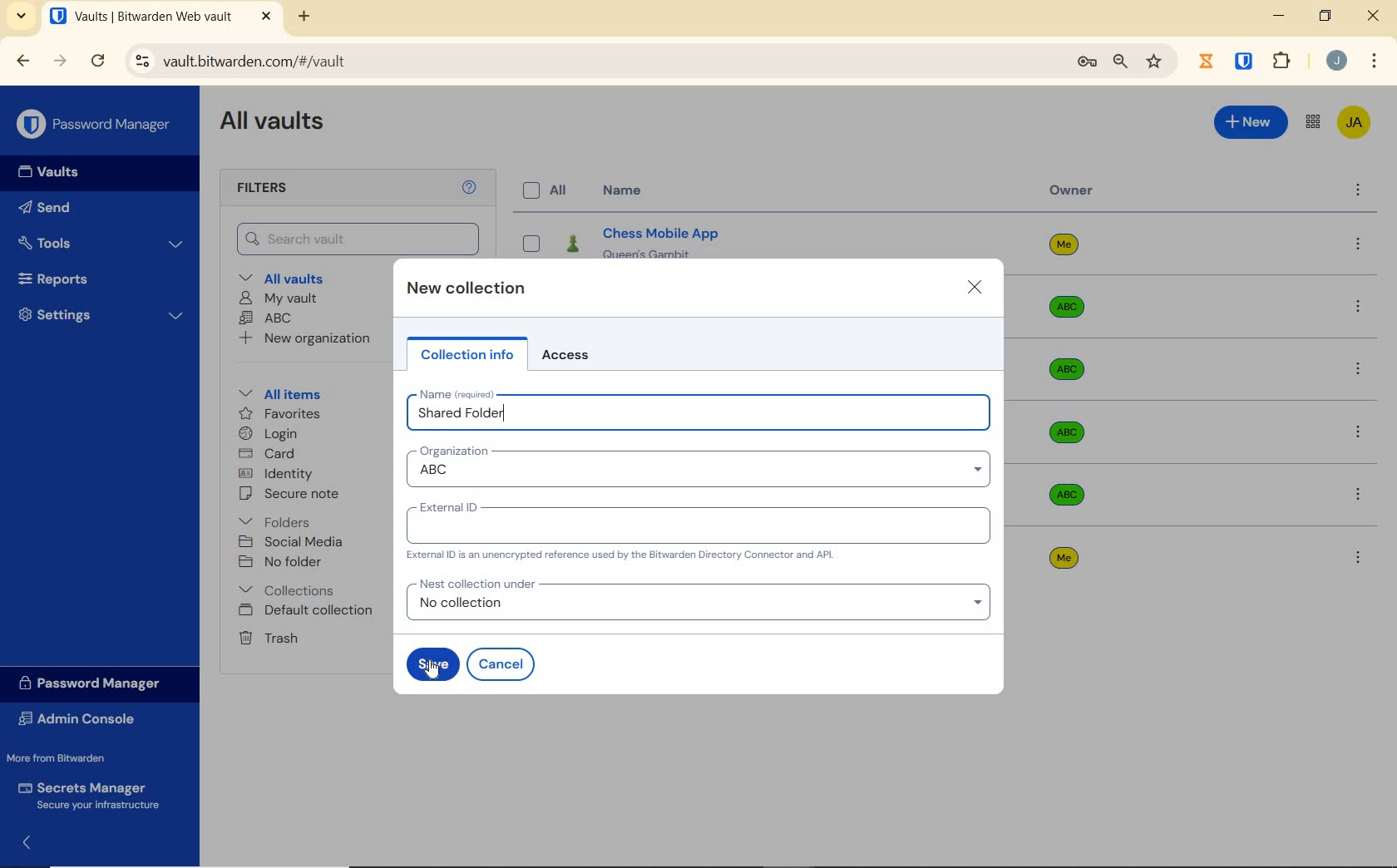 The height and width of the screenshot is (868, 1397). What do you see at coordinates (99, 683) in the screenshot?
I see `Password Manager` at bounding box center [99, 683].